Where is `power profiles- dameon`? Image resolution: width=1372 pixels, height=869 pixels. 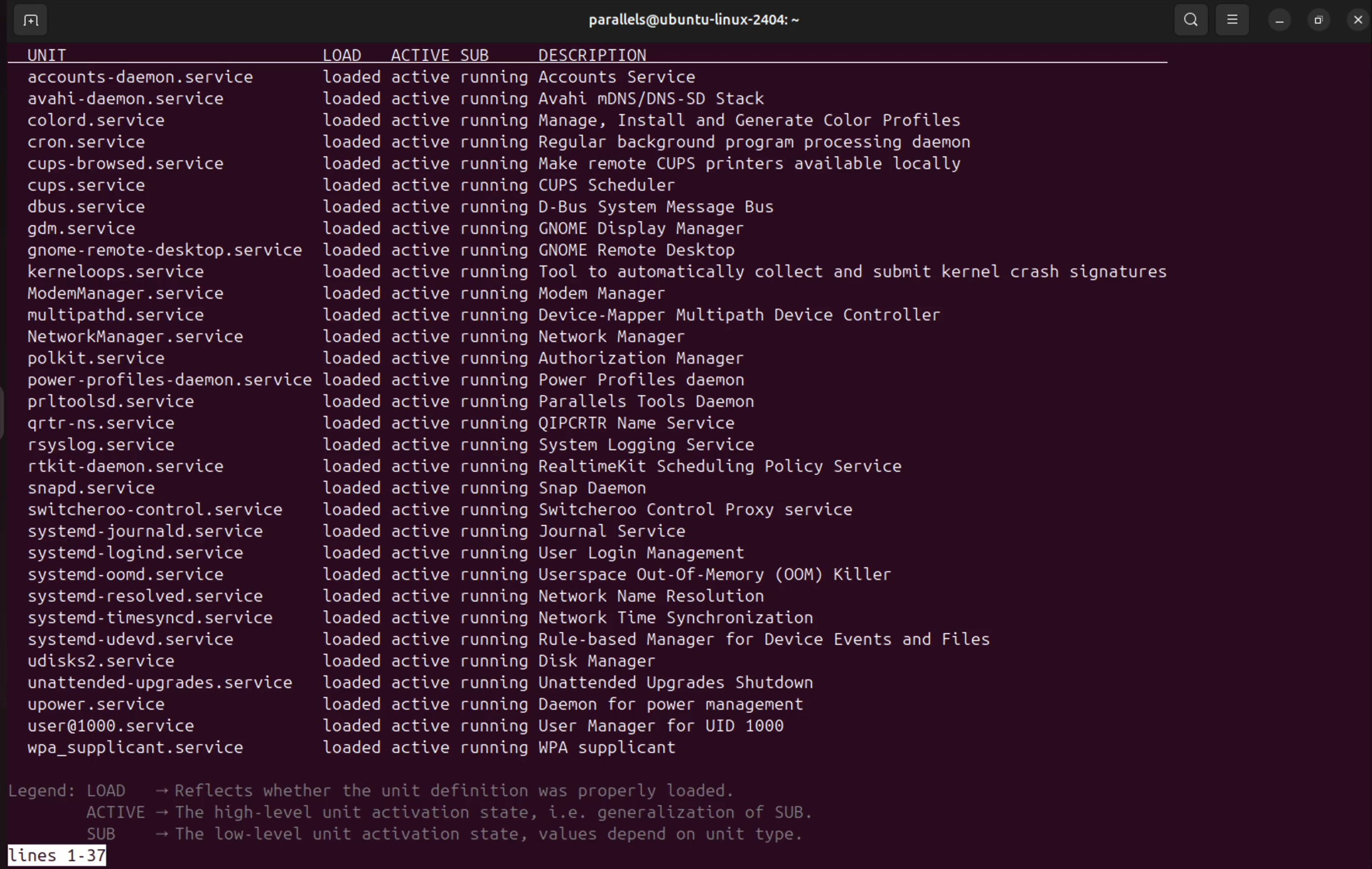
power profiles- dameon is located at coordinates (168, 382).